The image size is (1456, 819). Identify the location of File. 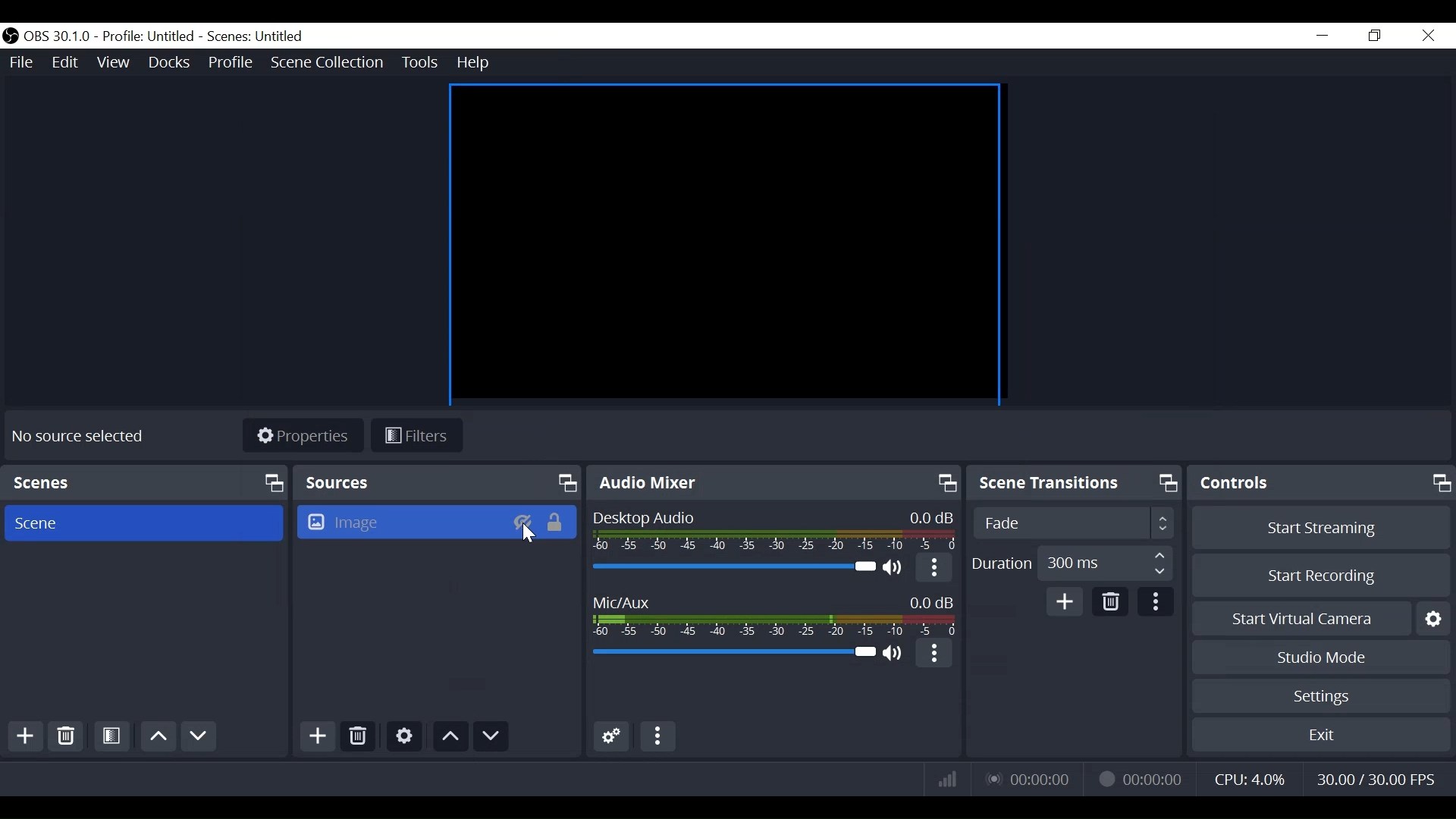
(20, 60).